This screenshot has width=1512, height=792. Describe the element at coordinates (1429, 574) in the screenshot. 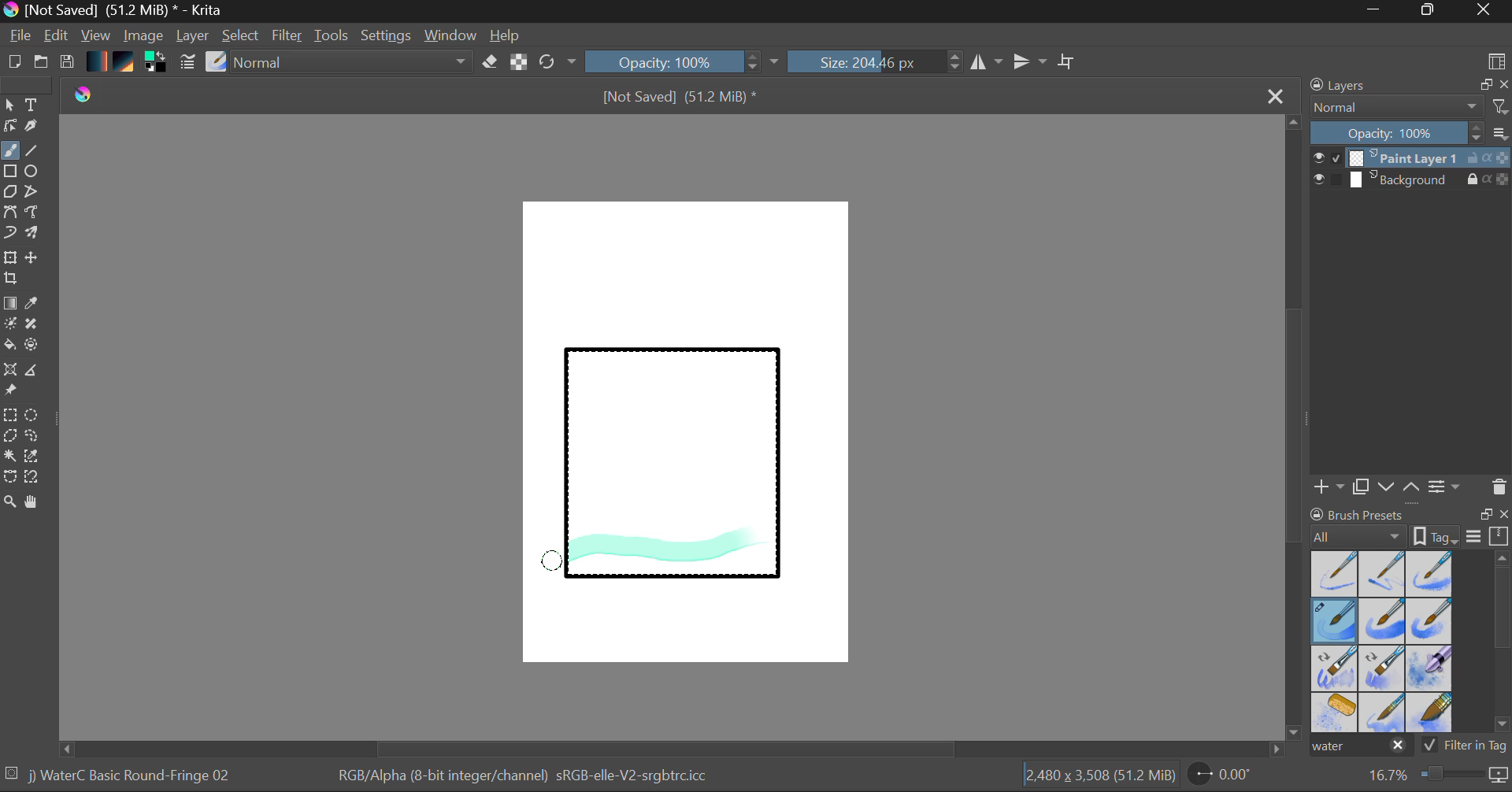

I see `Water C - Wet Pattern` at that location.